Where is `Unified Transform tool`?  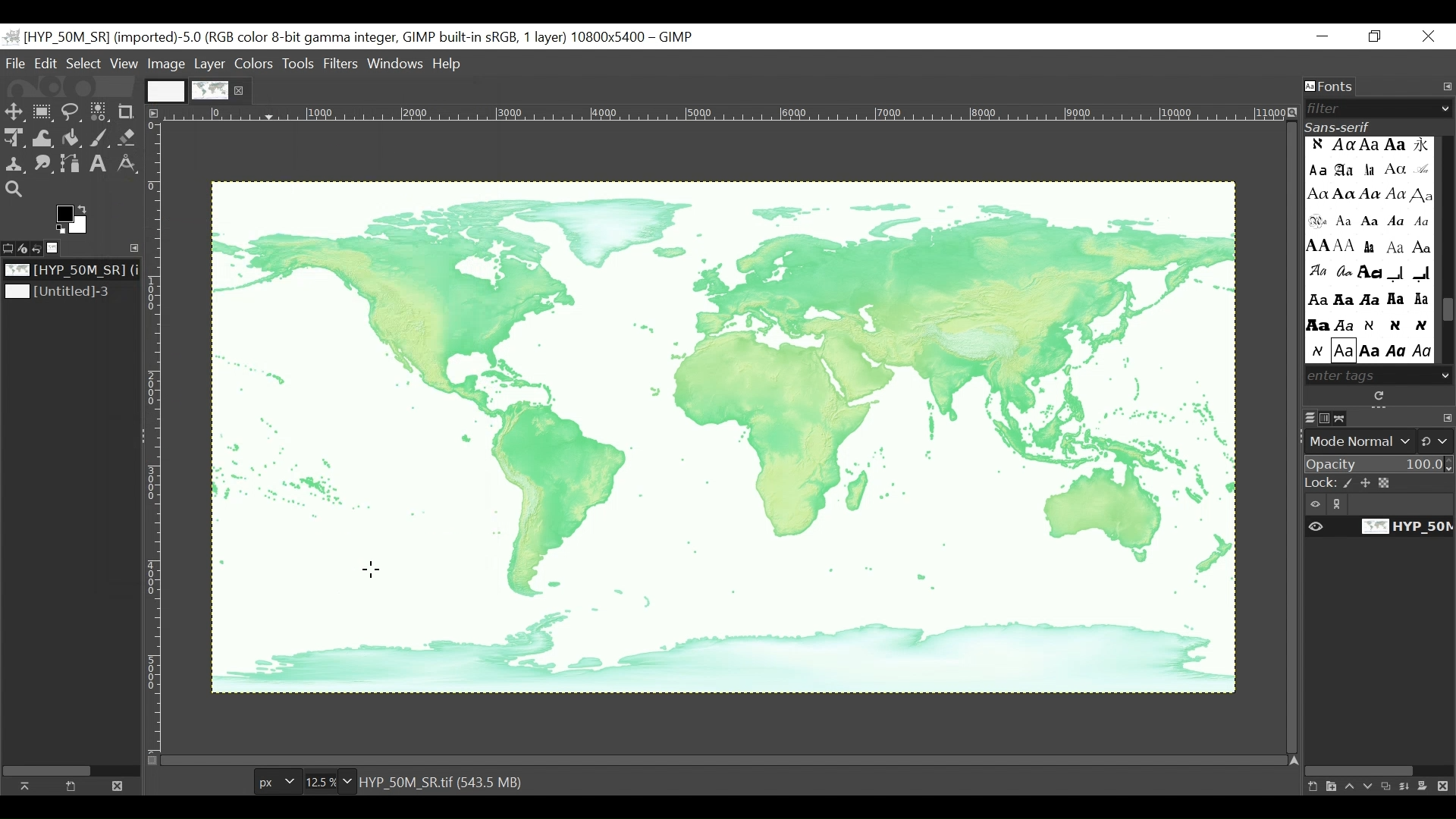 Unified Transform tool is located at coordinates (12, 137).